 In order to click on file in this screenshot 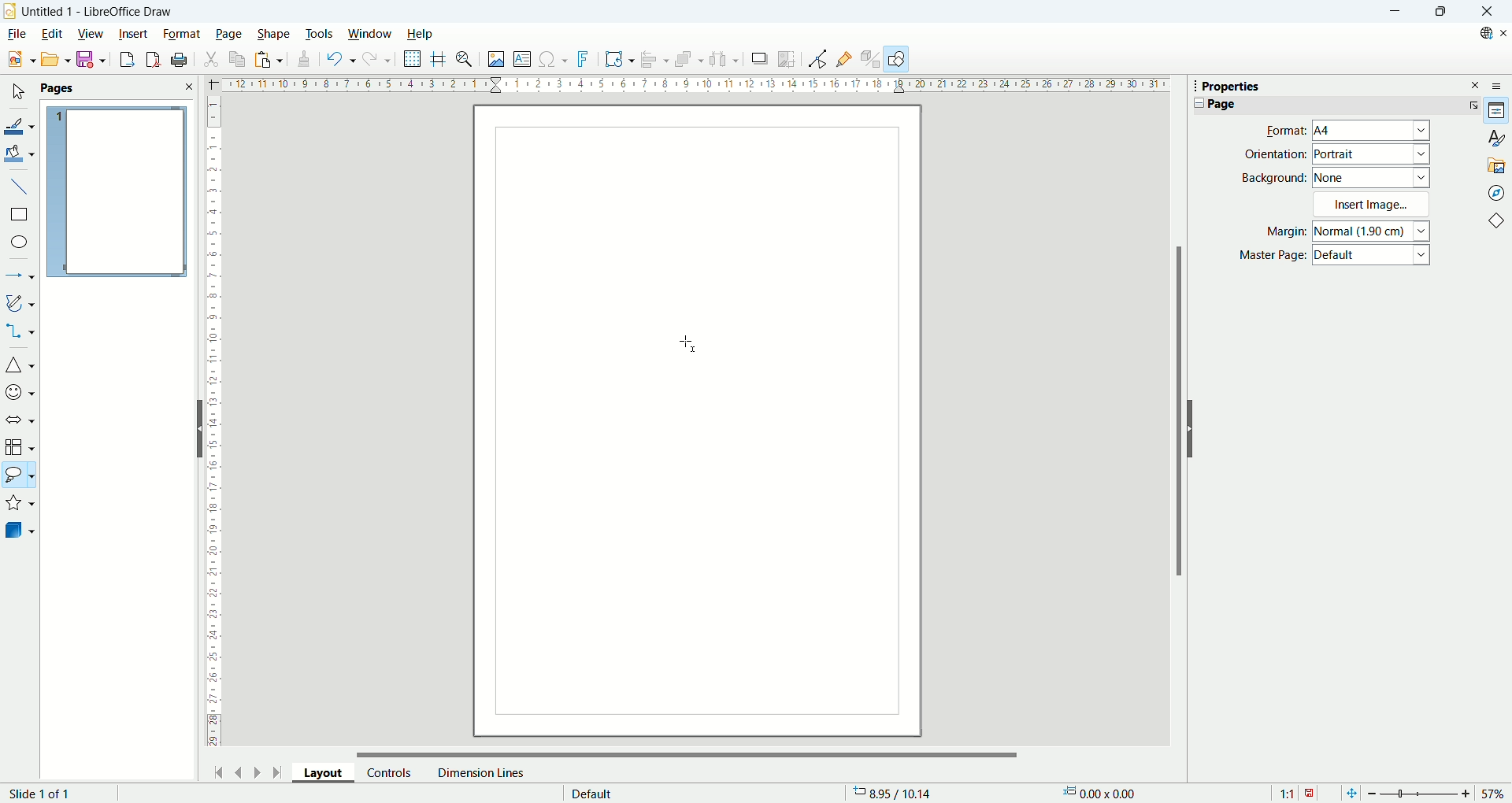, I will do `click(16, 34)`.